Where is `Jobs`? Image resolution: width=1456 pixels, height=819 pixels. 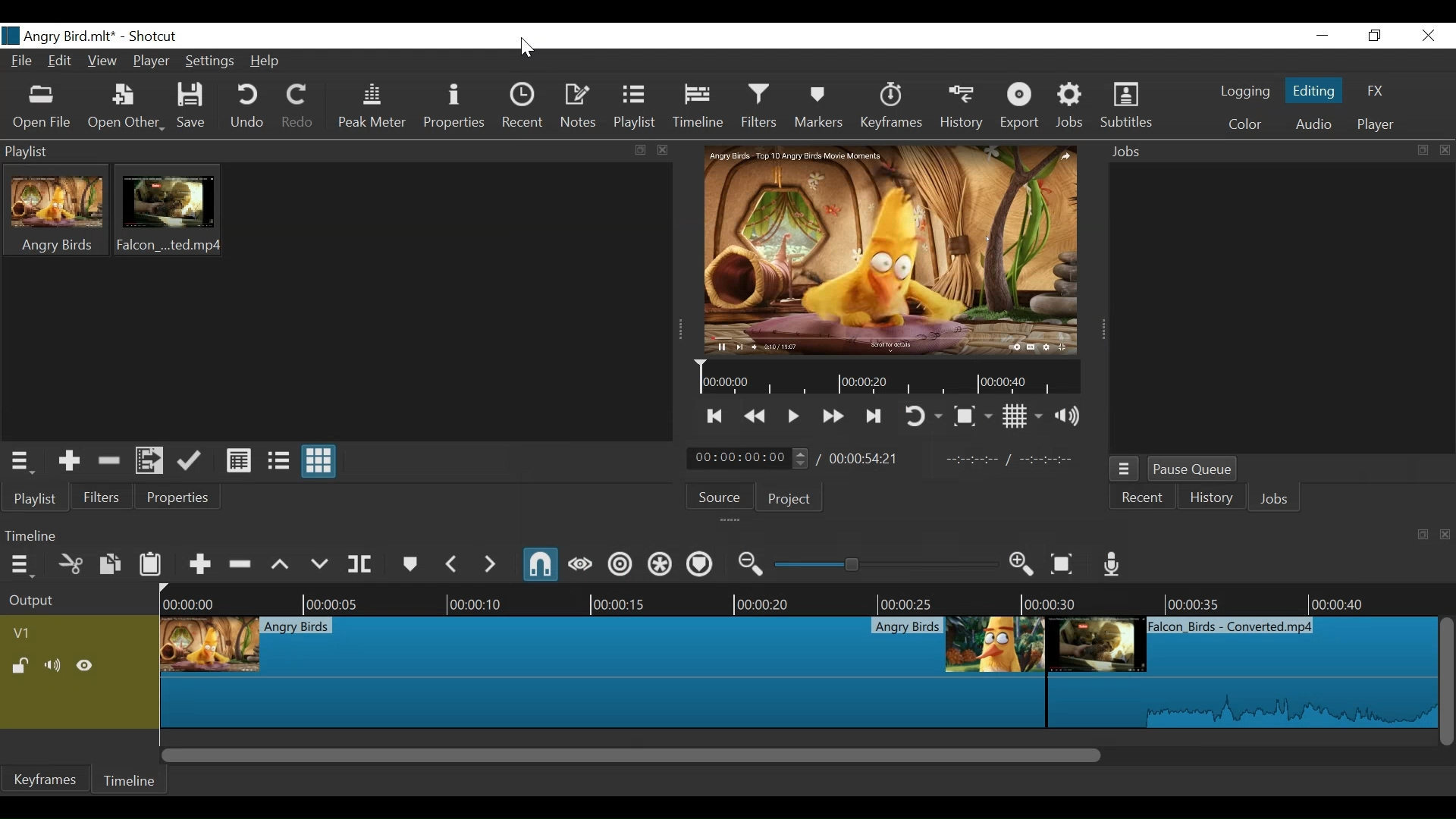
Jobs is located at coordinates (1276, 499).